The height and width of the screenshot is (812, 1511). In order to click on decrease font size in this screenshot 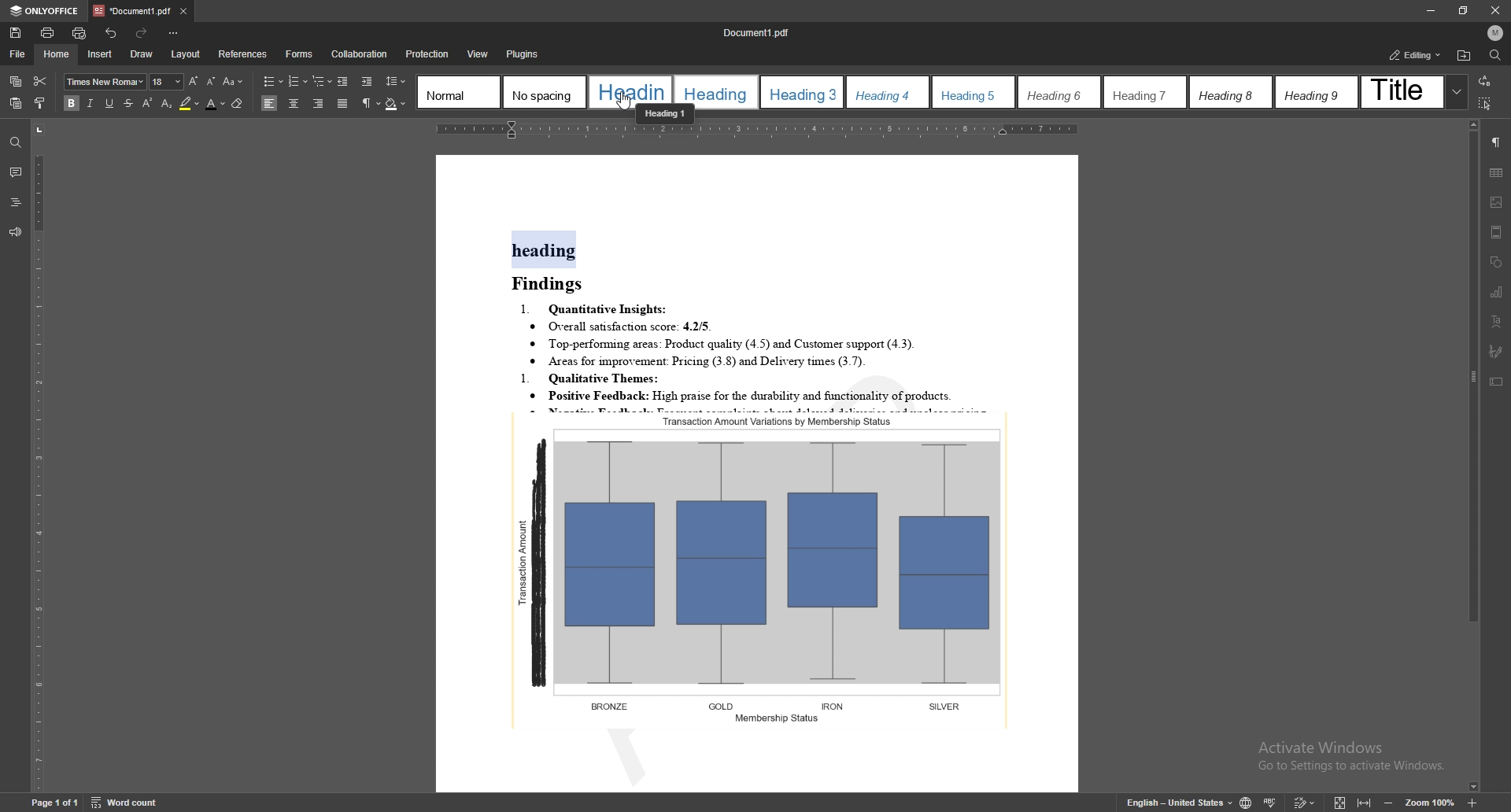, I will do `click(210, 81)`.